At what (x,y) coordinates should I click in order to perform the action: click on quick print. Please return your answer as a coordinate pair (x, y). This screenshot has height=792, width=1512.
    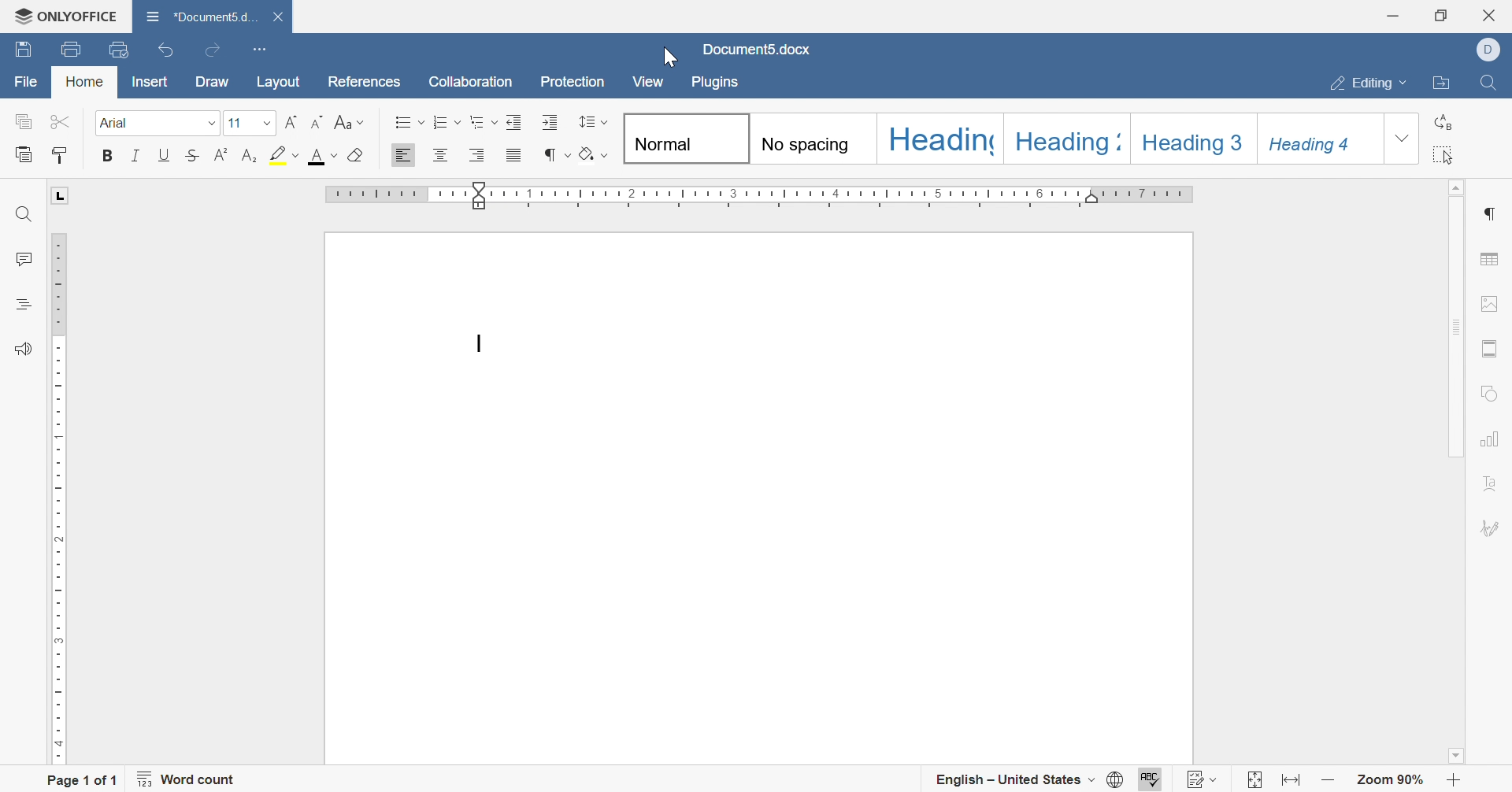
    Looking at the image, I should click on (120, 47).